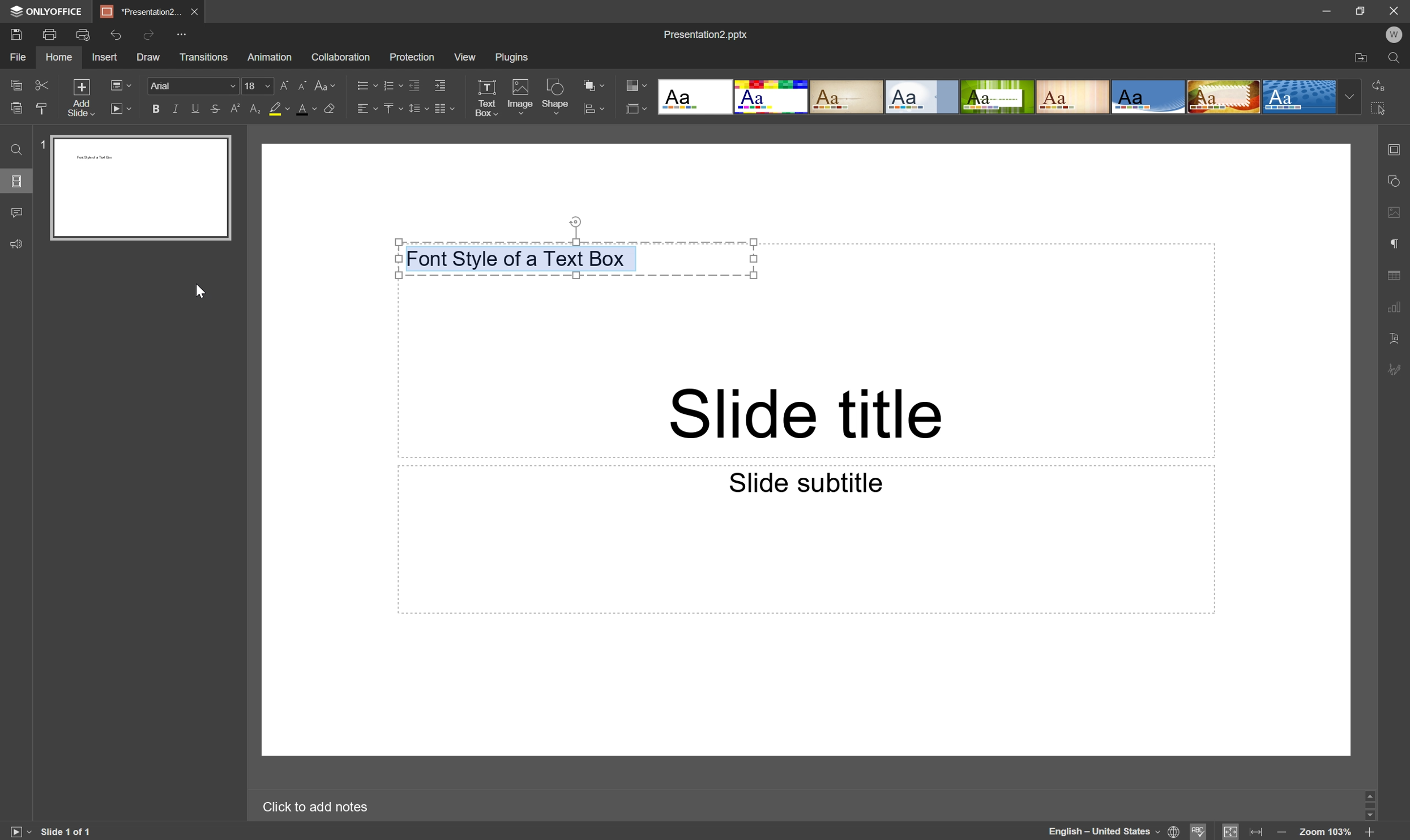 The height and width of the screenshot is (840, 1410). What do you see at coordinates (1199, 831) in the screenshot?
I see `Spell Checking` at bounding box center [1199, 831].